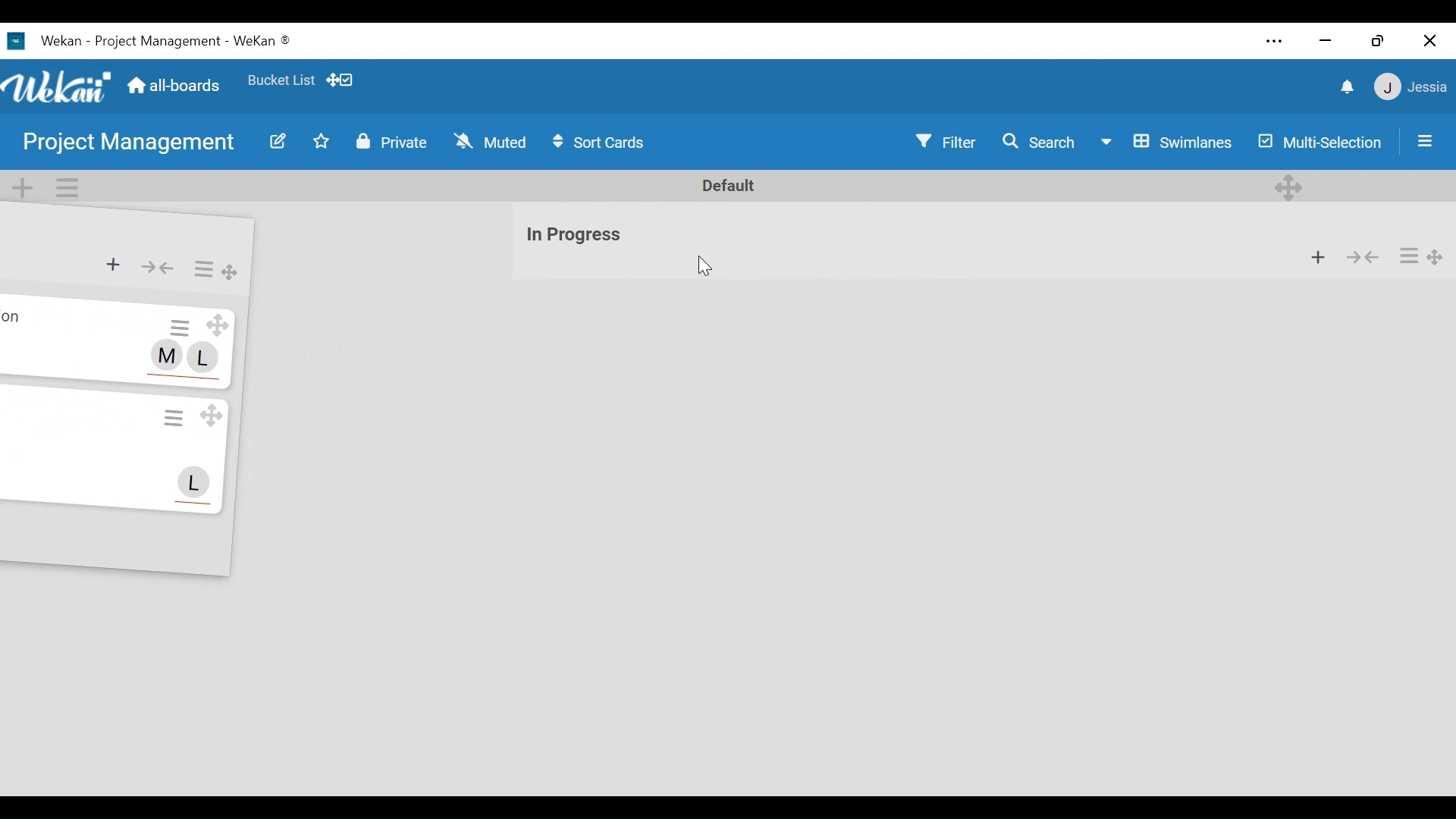 The width and height of the screenshot is (1456, 819). Describe the element at coordinates (493, 142) in the screenshot. I see `Muted` at that location.